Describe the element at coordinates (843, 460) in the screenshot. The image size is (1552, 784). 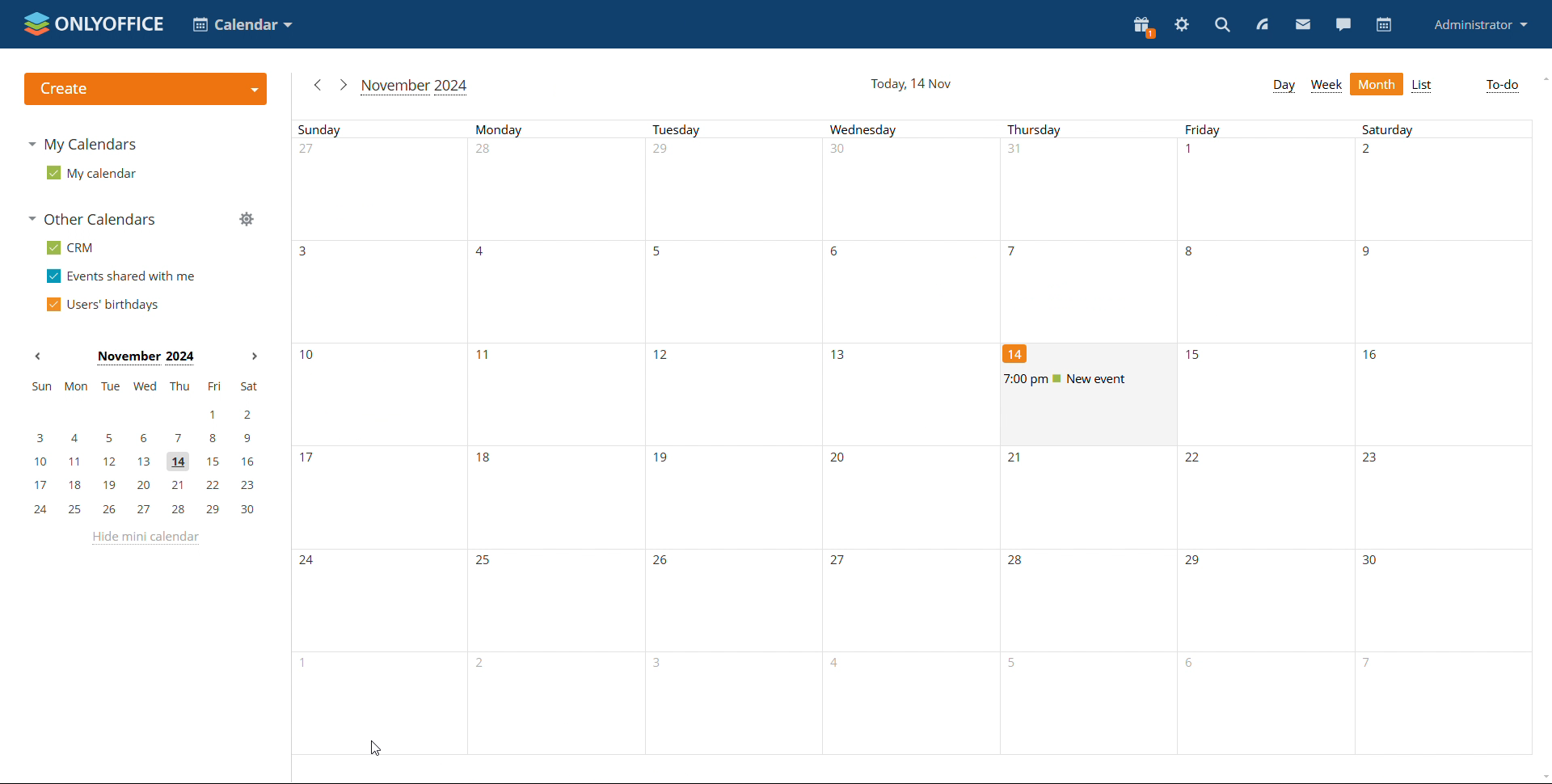
I see `number` at that location.